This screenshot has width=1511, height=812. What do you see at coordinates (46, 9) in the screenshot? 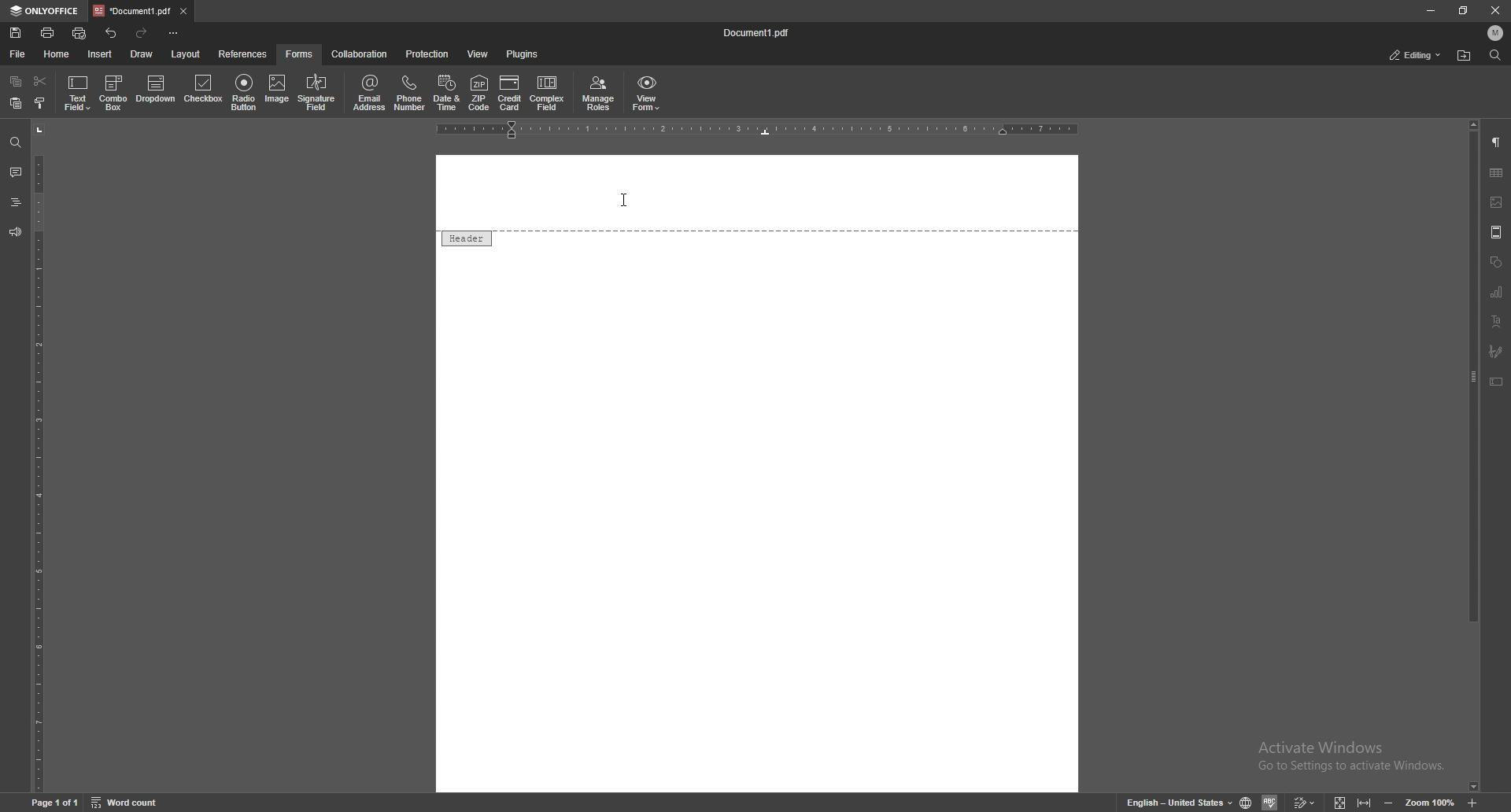
I see `only office` at bounding box center [46, 9].